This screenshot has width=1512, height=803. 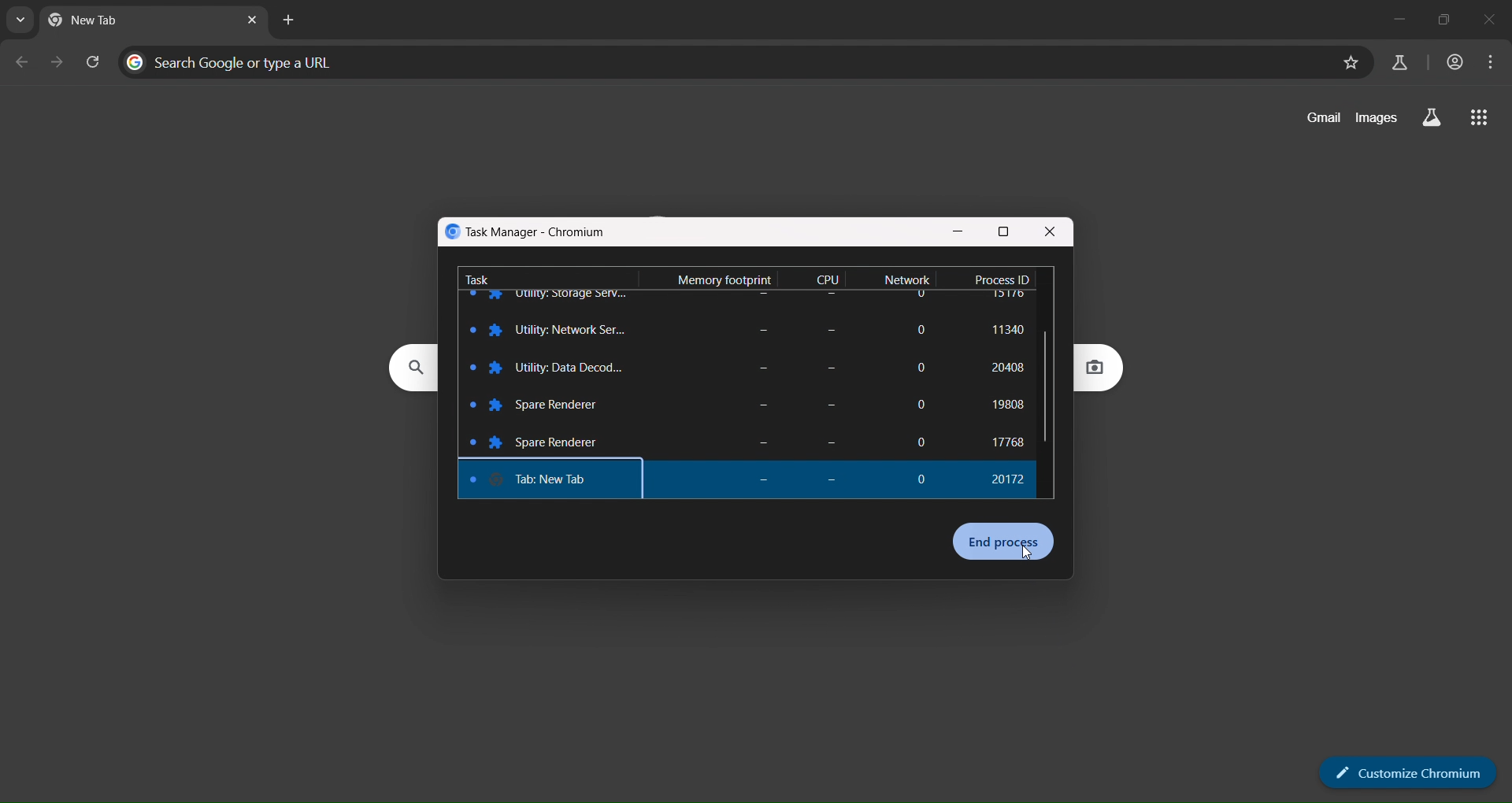 I want to click on 19808, so click(x=1006, y=438).